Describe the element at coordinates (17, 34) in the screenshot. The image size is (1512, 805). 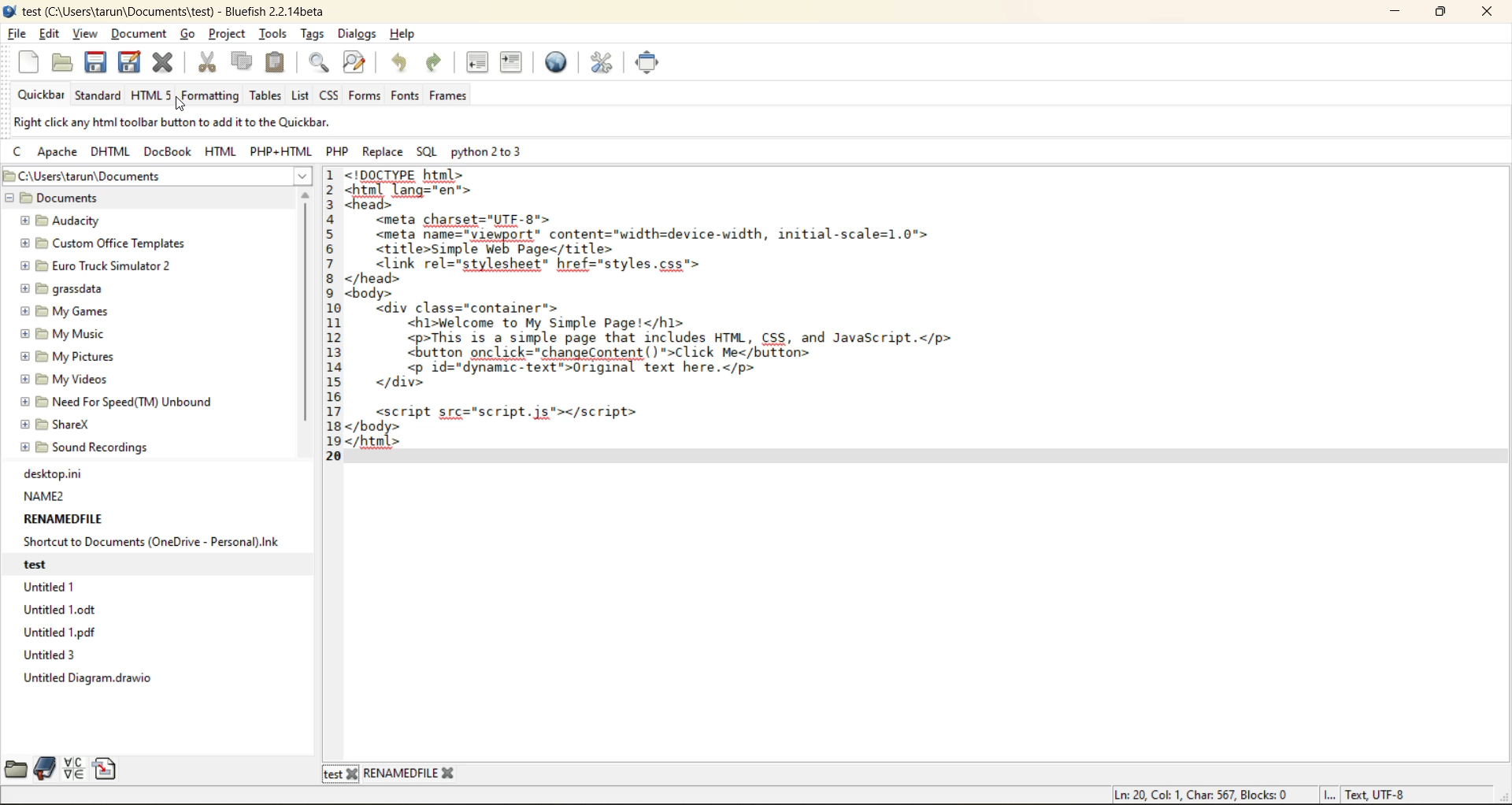
I see `file` at that location.